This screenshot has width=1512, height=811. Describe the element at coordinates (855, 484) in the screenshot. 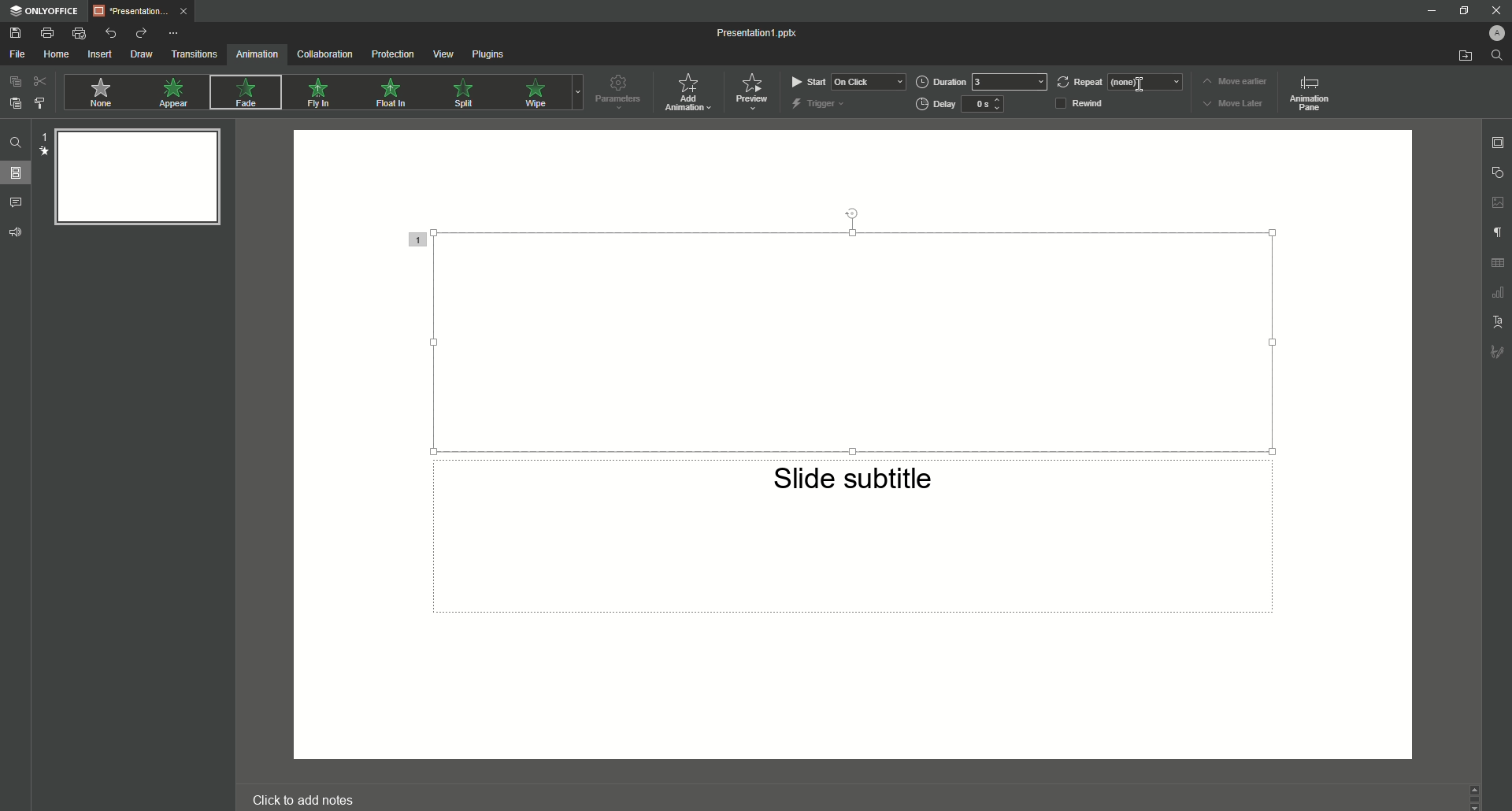

I see `Slide subtitle` at that location.